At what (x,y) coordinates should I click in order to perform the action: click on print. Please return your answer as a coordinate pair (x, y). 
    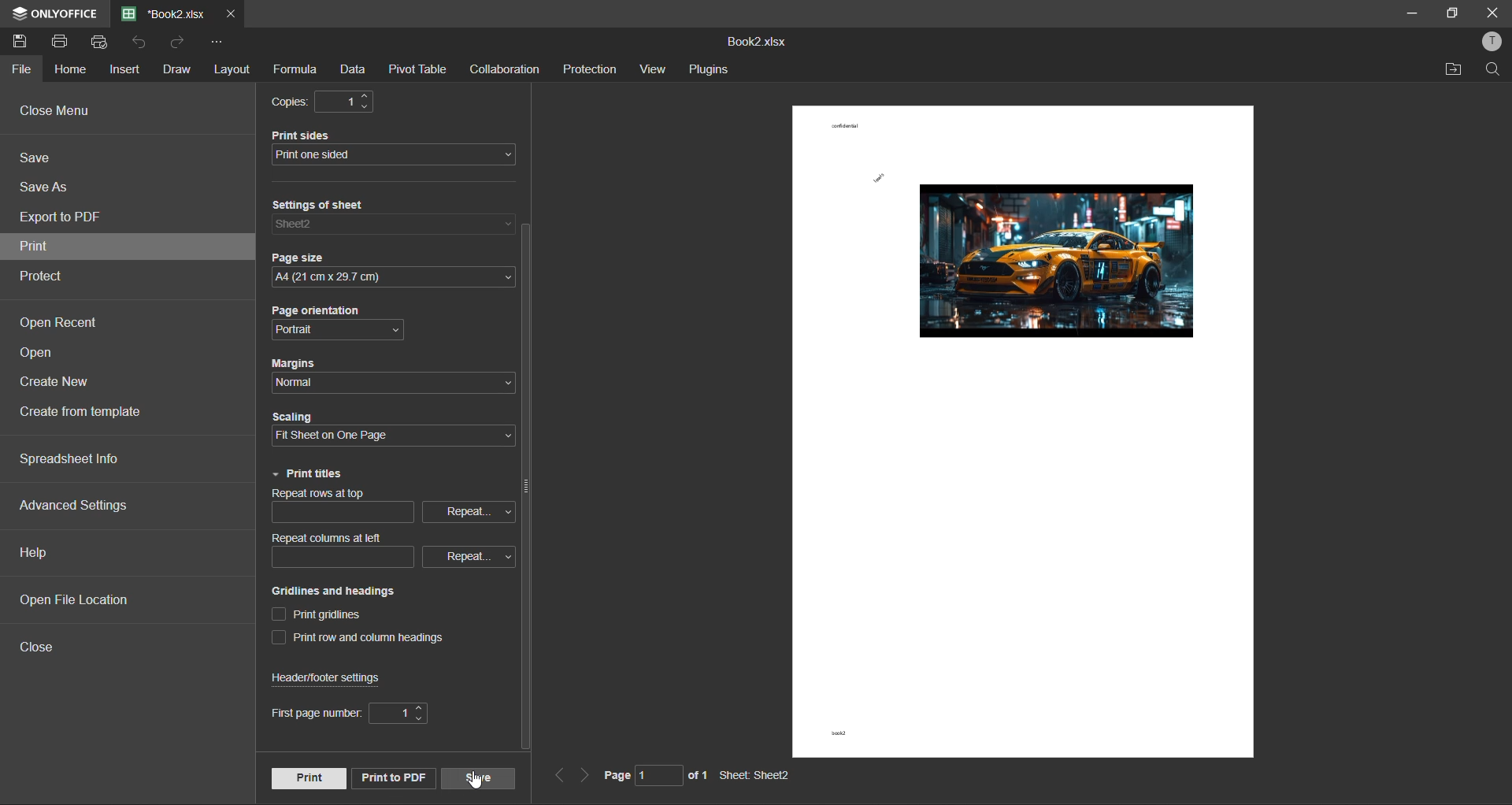
    Looking at the image, I should click on (34, 247).